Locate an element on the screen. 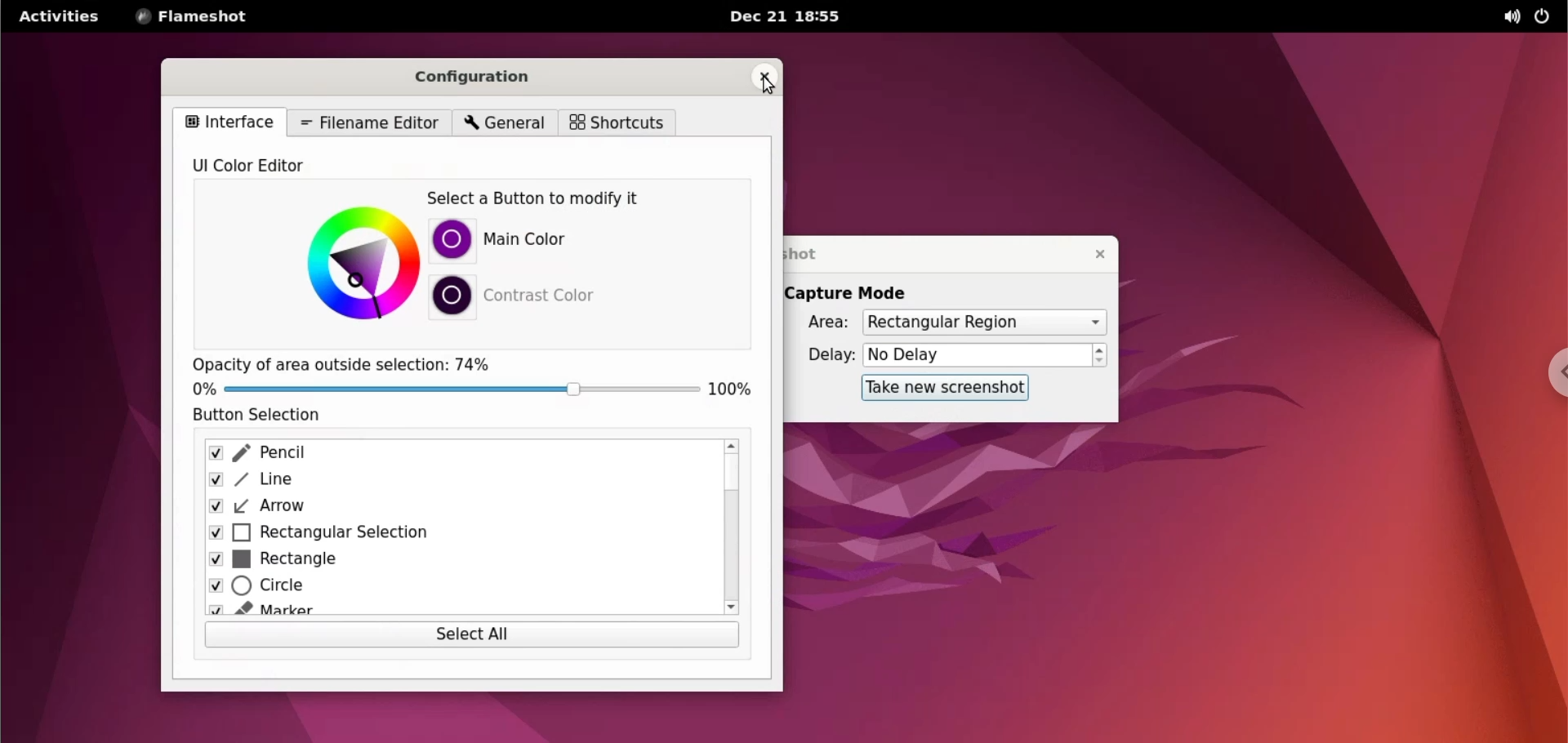  filename editor is located at coordinates (371, 122).